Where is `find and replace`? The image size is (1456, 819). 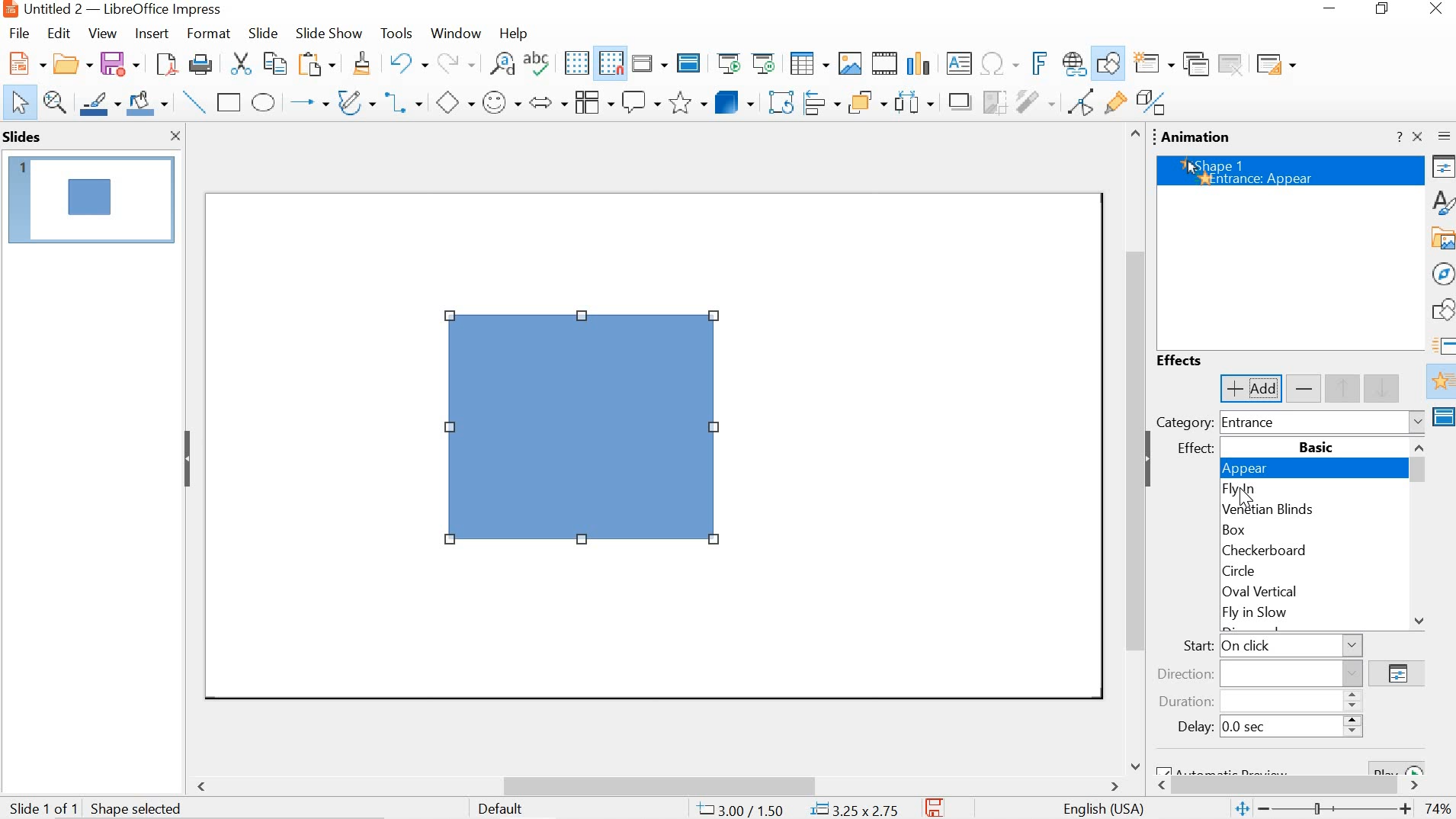 find and replace is located at coordinates (501, 63).